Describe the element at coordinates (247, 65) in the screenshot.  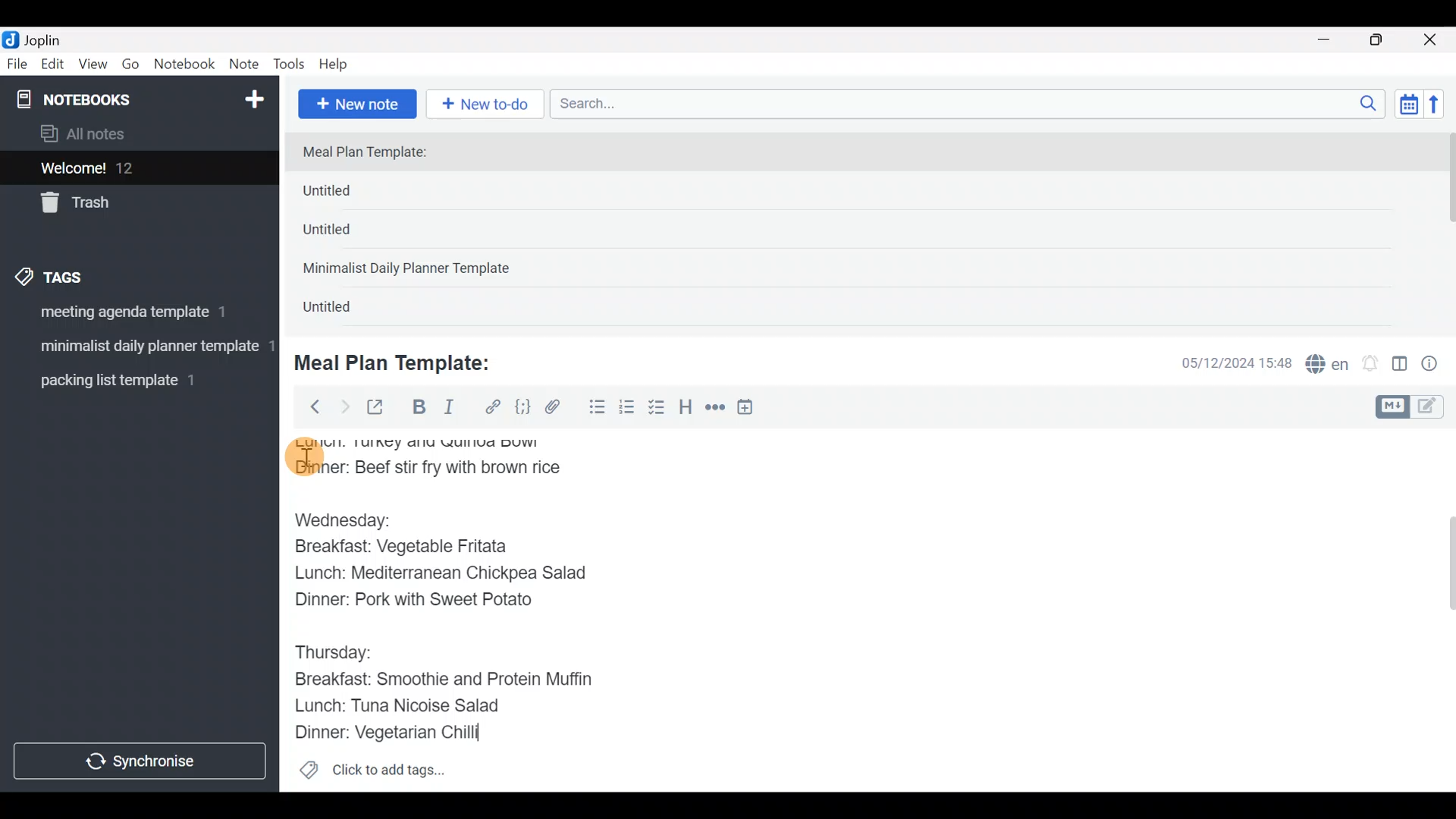
I see `Note` at that location.